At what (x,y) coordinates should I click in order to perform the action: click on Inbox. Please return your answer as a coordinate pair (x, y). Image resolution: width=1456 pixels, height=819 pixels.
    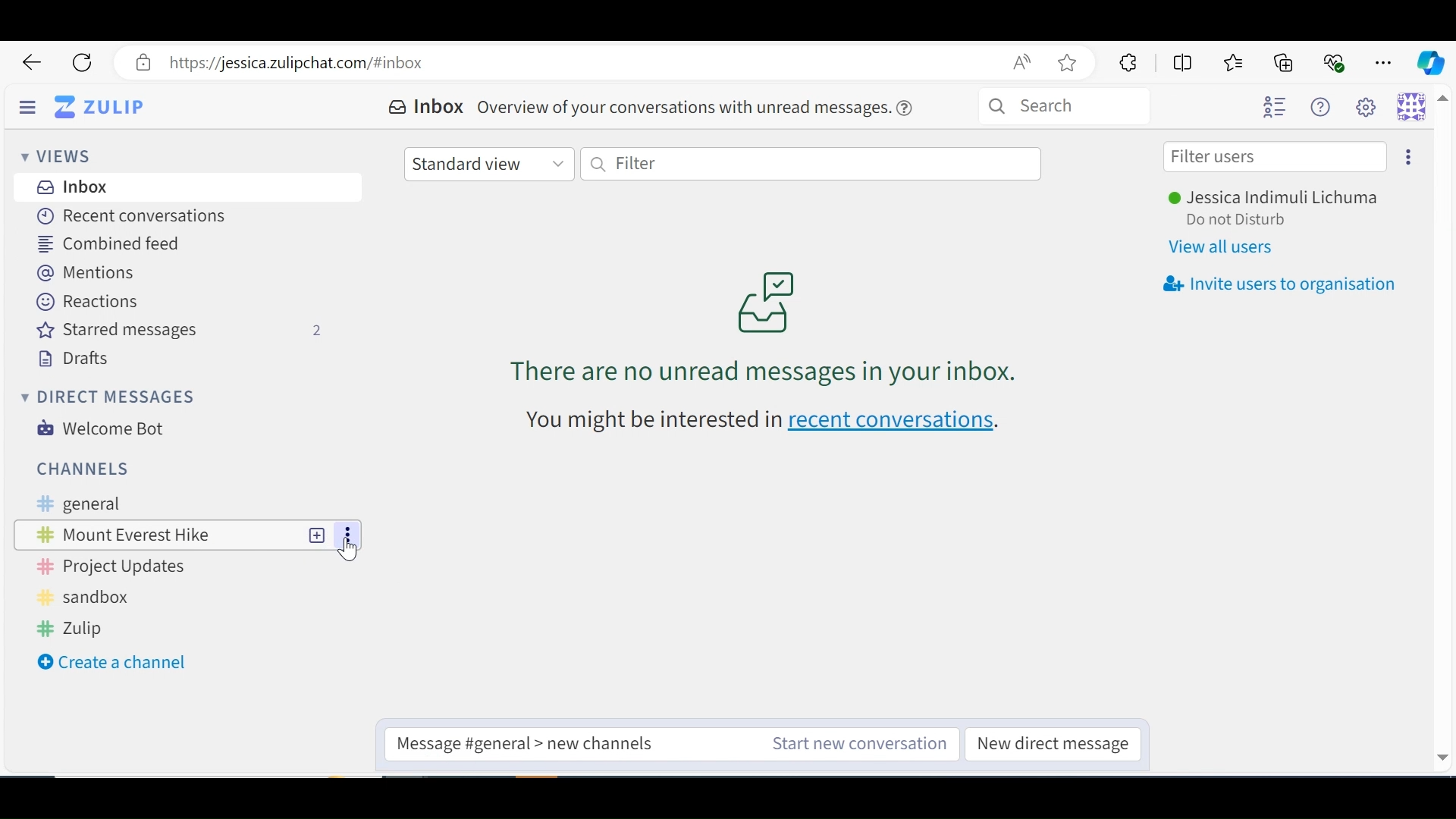
    Looking at the image, I should click on (74, 187).